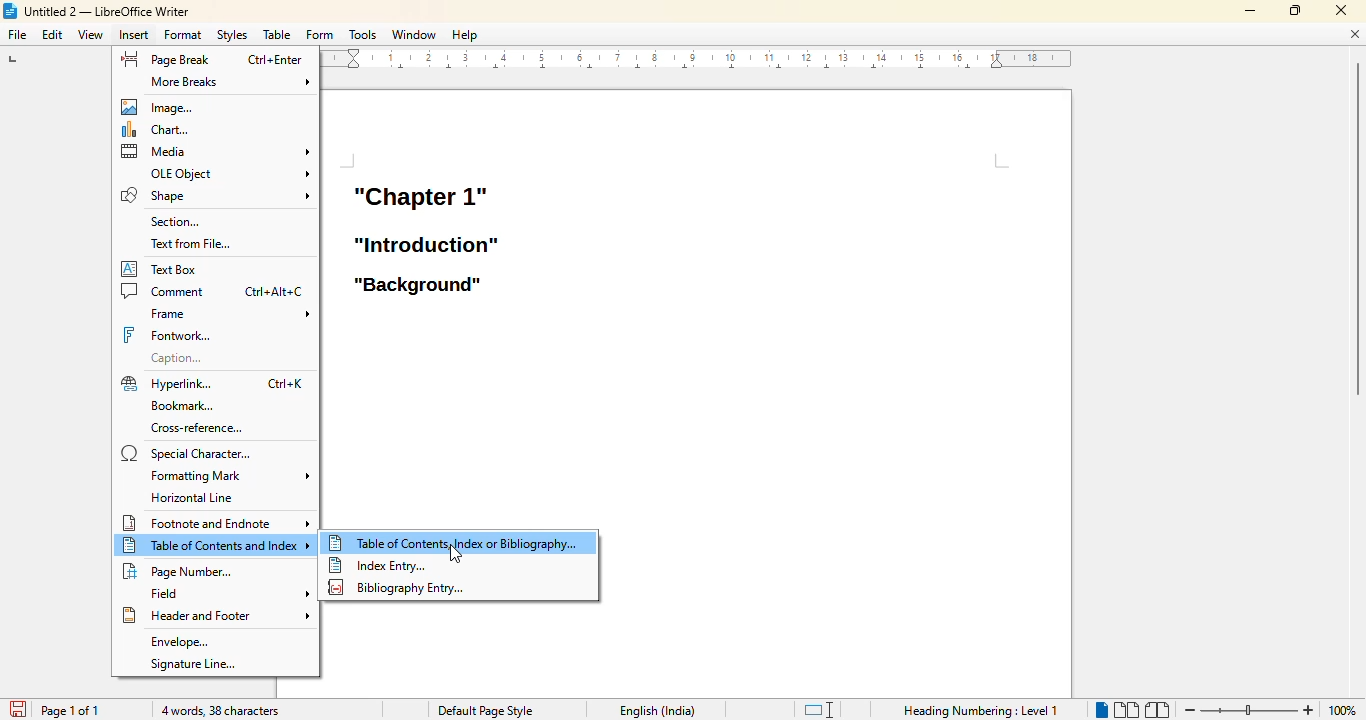 This screenshot has height=720, width=1366. Describe the element at coordinates (96, 11) in the screenshot. I see `title` at that location.